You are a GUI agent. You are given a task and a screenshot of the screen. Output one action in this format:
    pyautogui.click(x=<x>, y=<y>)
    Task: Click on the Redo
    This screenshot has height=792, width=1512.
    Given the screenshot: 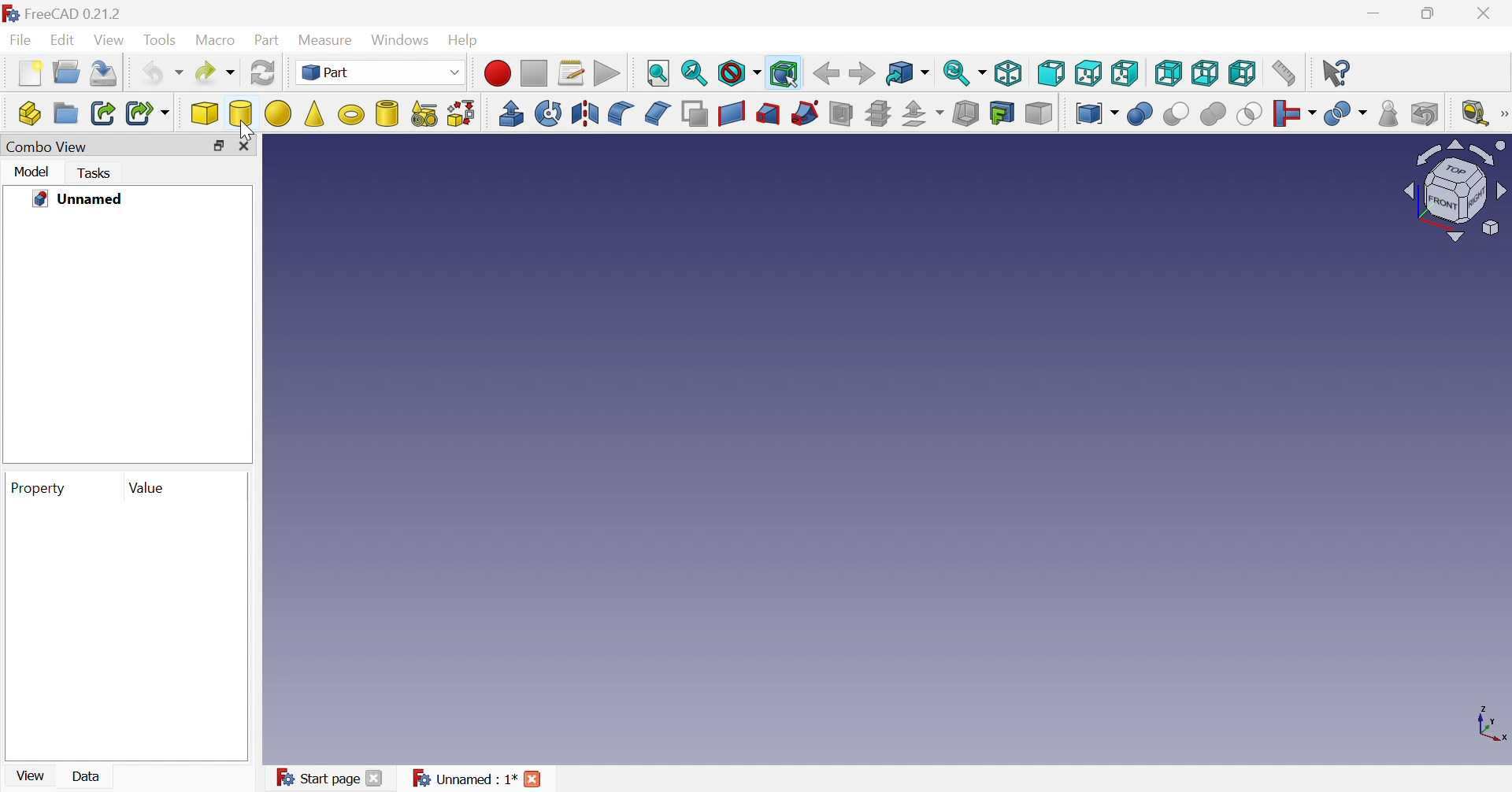 What is the action you would take?
    pyautogui.click(x=213, y=73)
    